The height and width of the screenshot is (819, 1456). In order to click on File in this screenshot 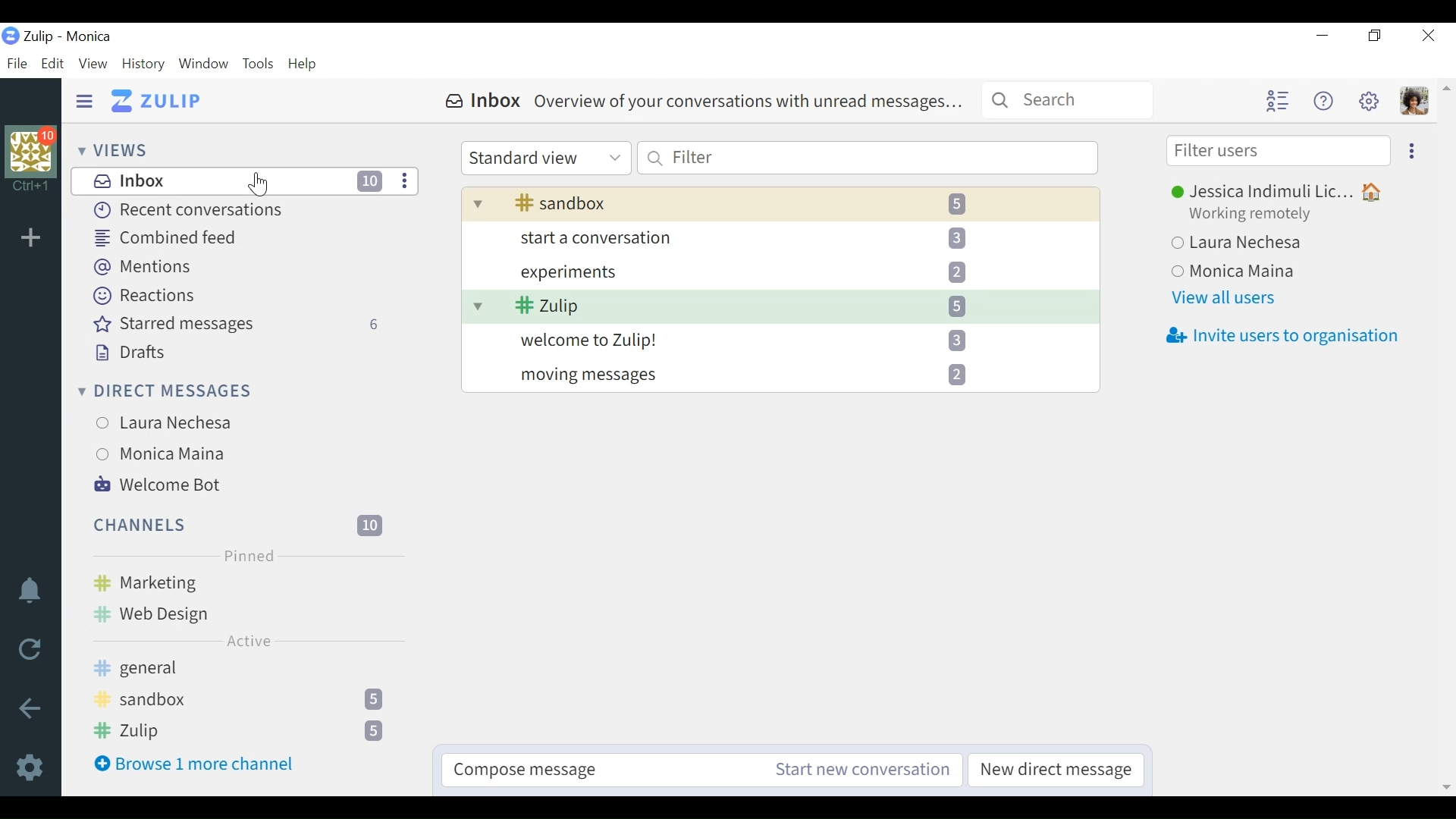, I will do `click(17, 64)`.